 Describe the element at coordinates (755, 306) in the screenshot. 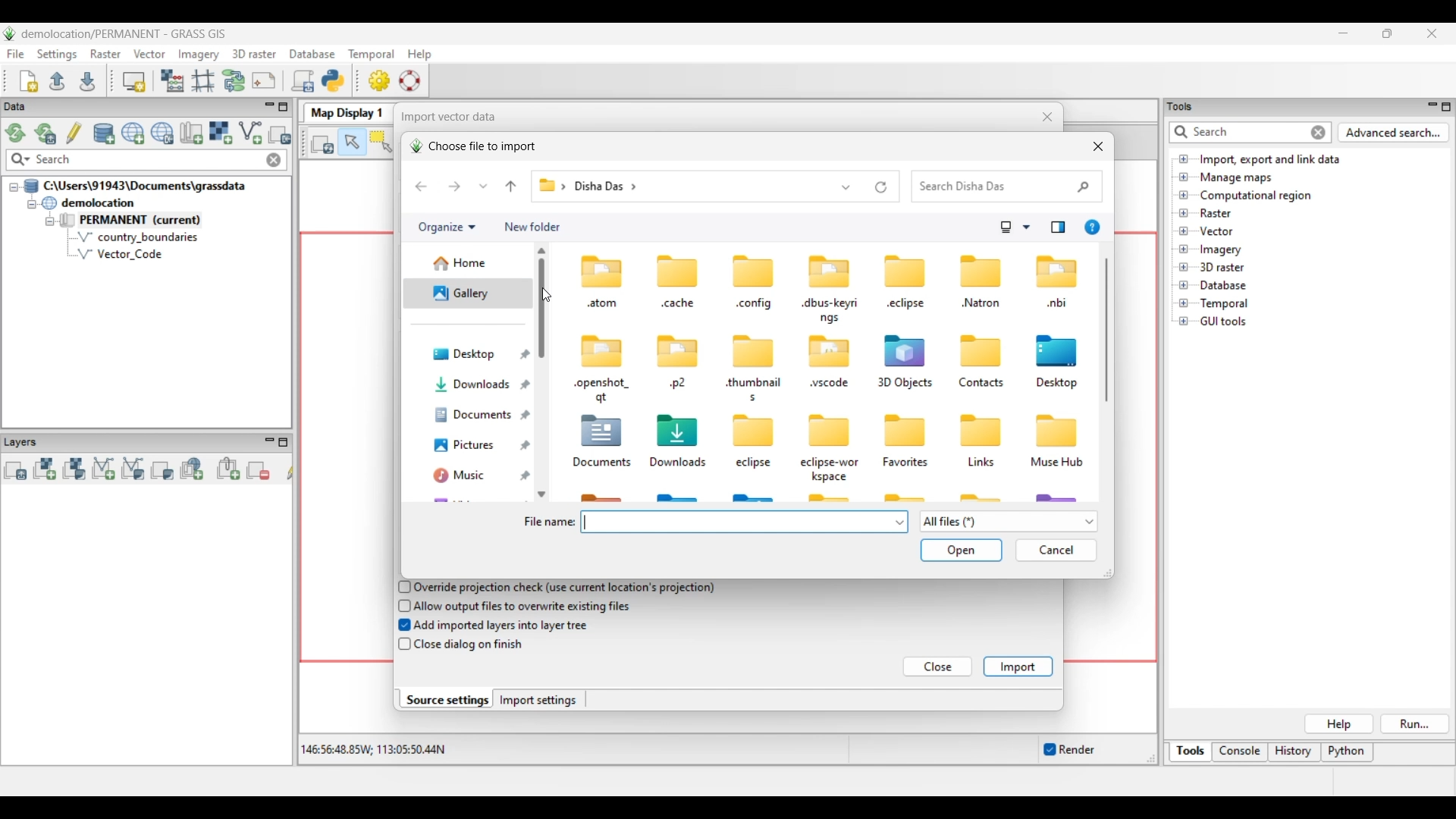

I see `«config` at that location.